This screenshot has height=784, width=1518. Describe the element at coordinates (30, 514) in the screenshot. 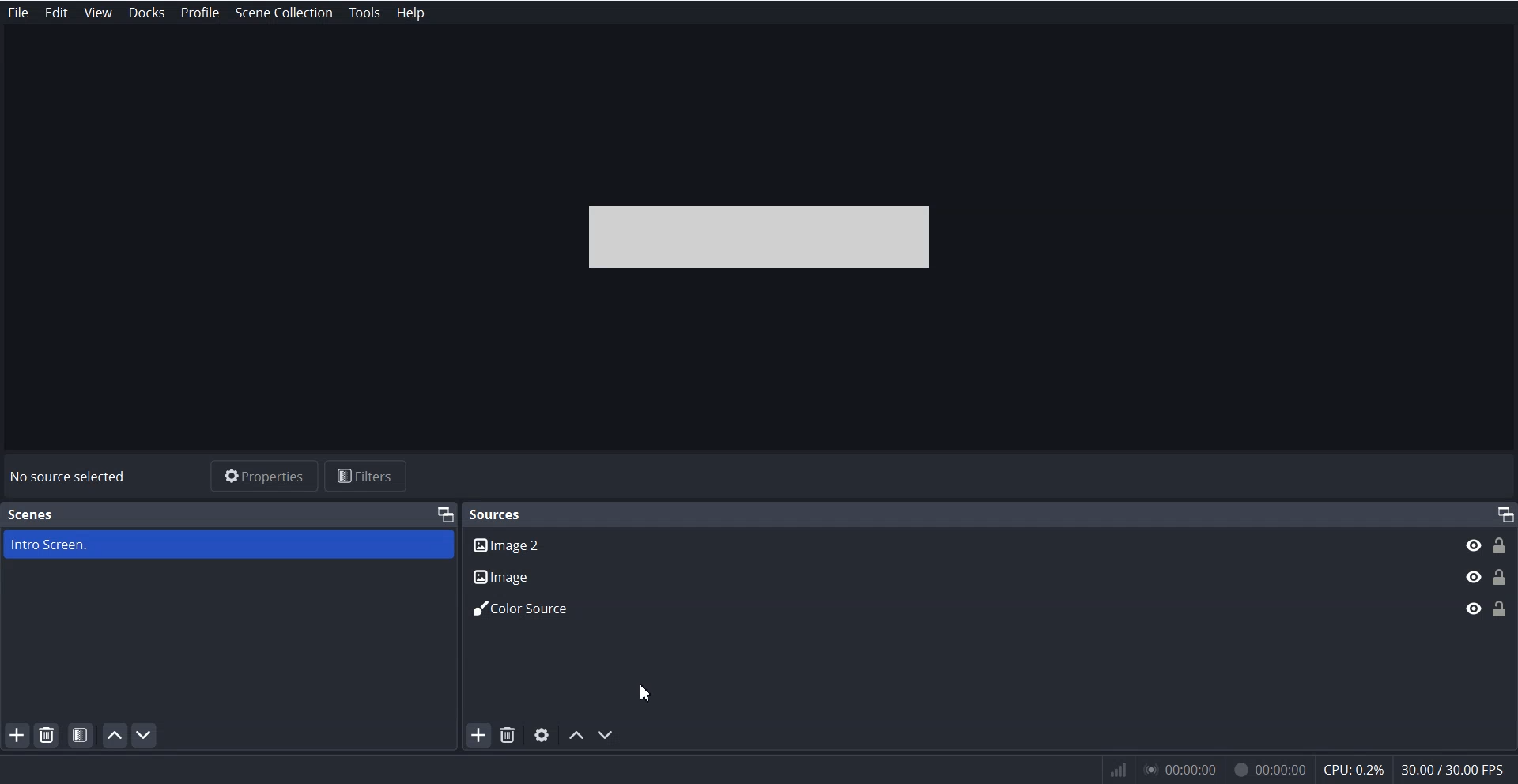

I see `Scenes` at that location.